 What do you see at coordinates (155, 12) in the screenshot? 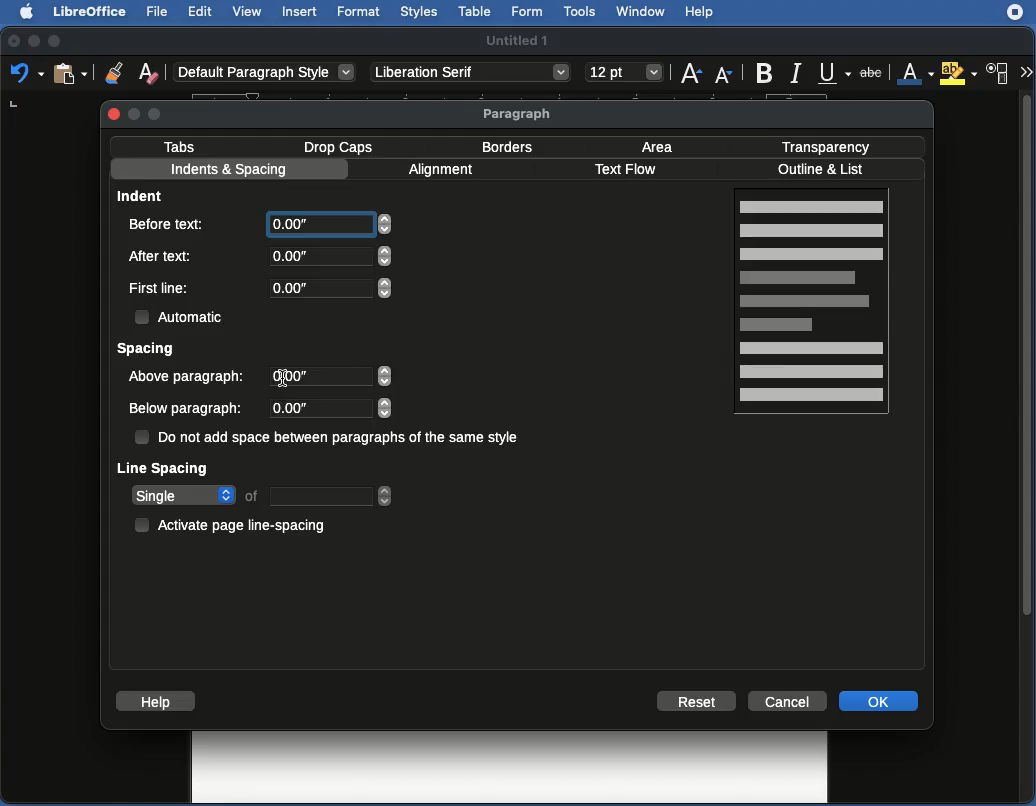
I see `File` at bounding box center [155, 12].